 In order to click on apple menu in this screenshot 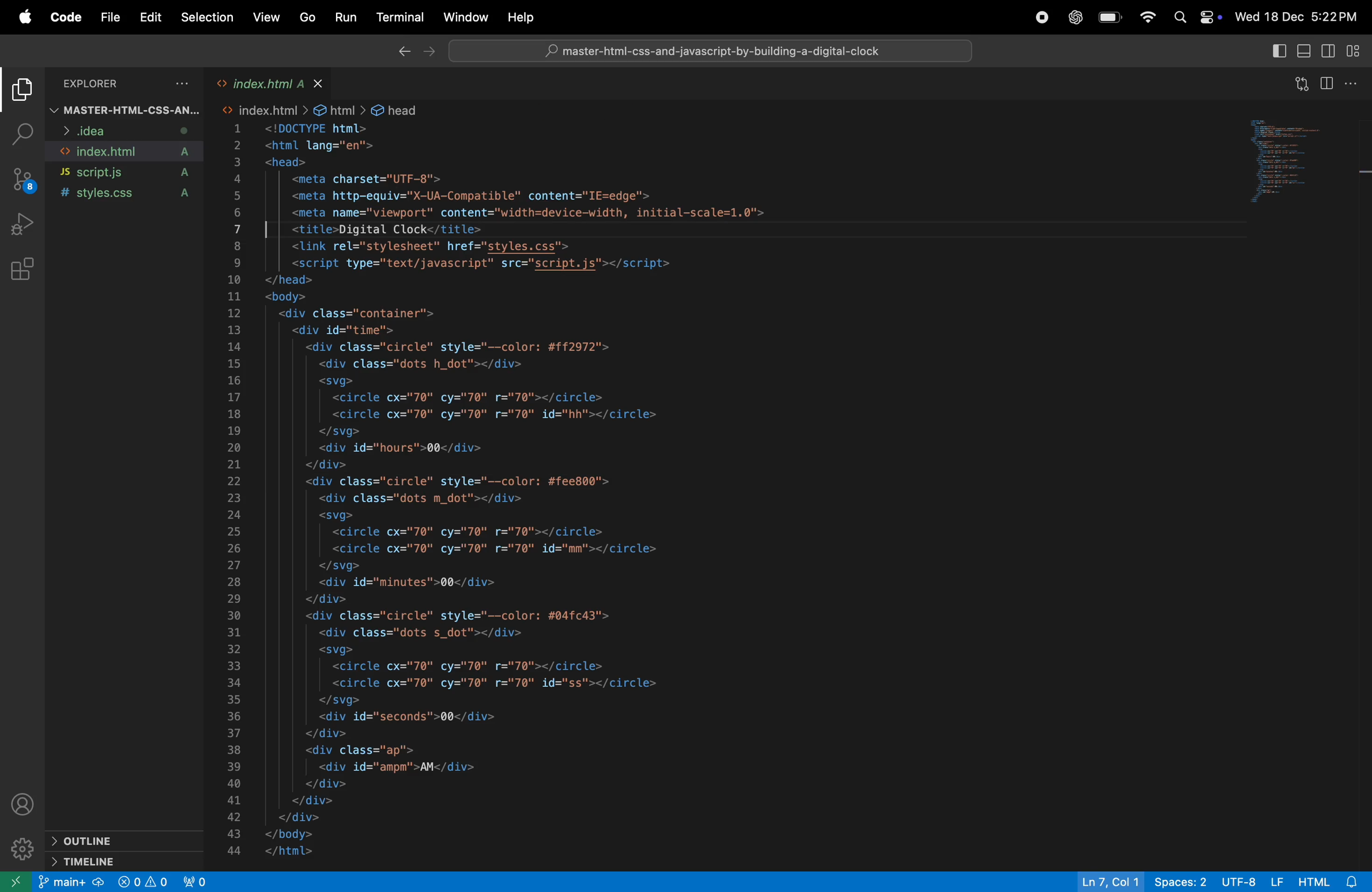, I will do `click(22, 17)`.